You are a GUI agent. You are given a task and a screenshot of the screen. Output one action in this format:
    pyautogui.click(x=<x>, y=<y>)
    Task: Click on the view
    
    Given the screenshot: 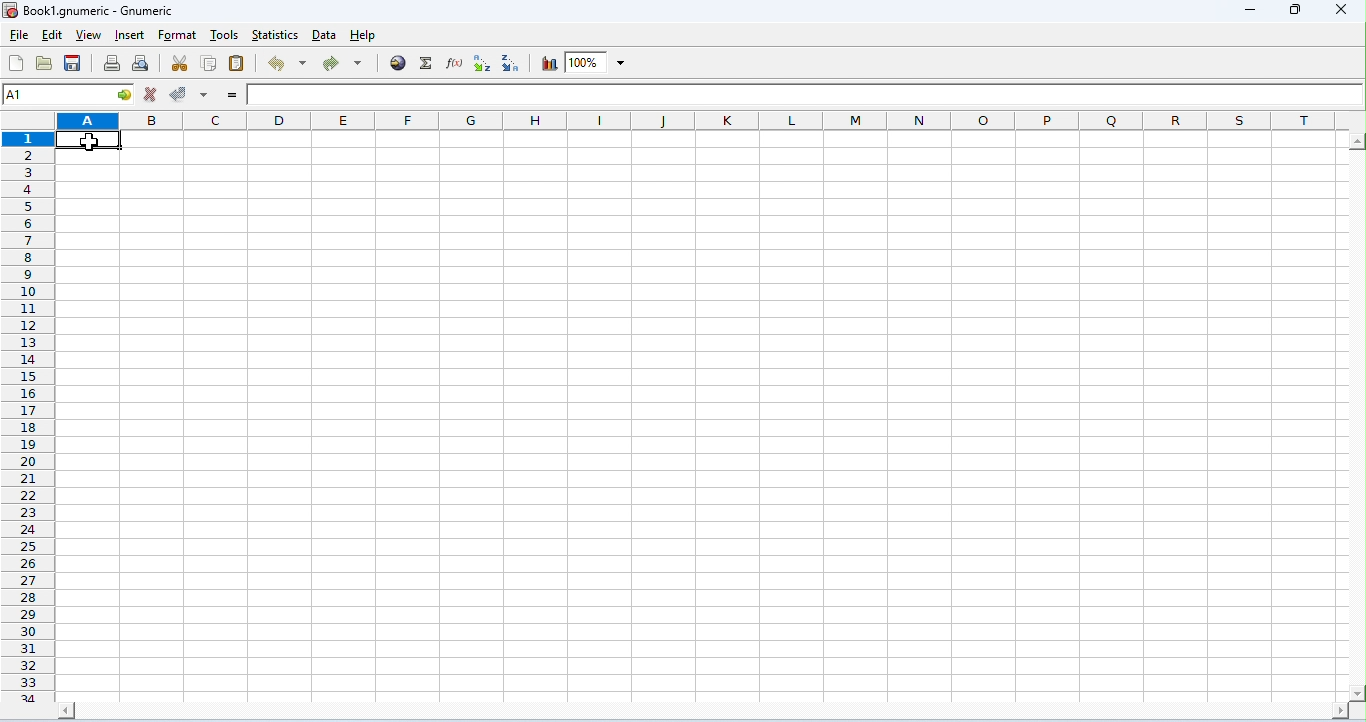 What is the action you would take?
    pyautogui.click(x=87, y=37)
    